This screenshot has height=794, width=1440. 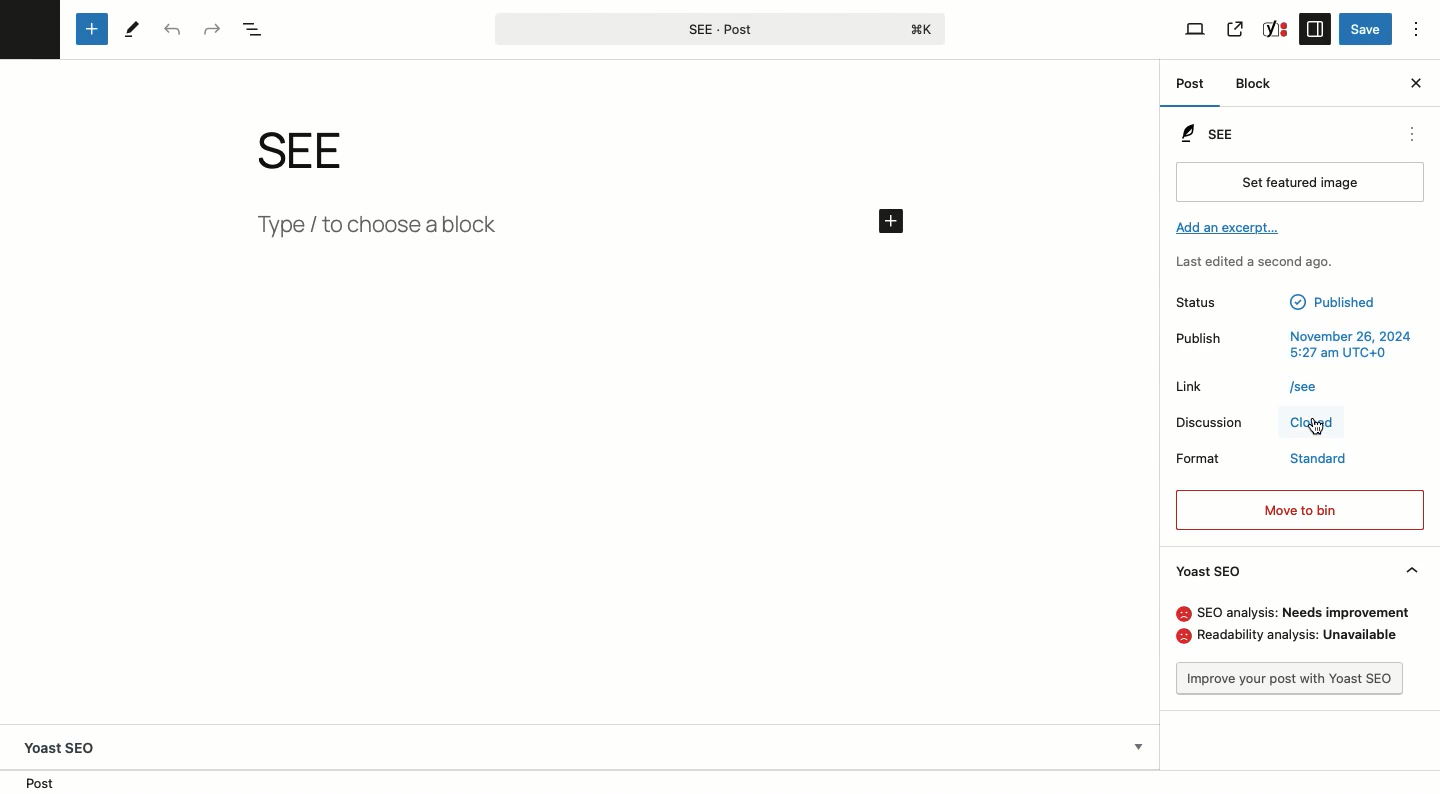 What do you see at coordinates (584, 230) in the screenshot?
I see `type/Add new block` at bounding box center [584, 230].